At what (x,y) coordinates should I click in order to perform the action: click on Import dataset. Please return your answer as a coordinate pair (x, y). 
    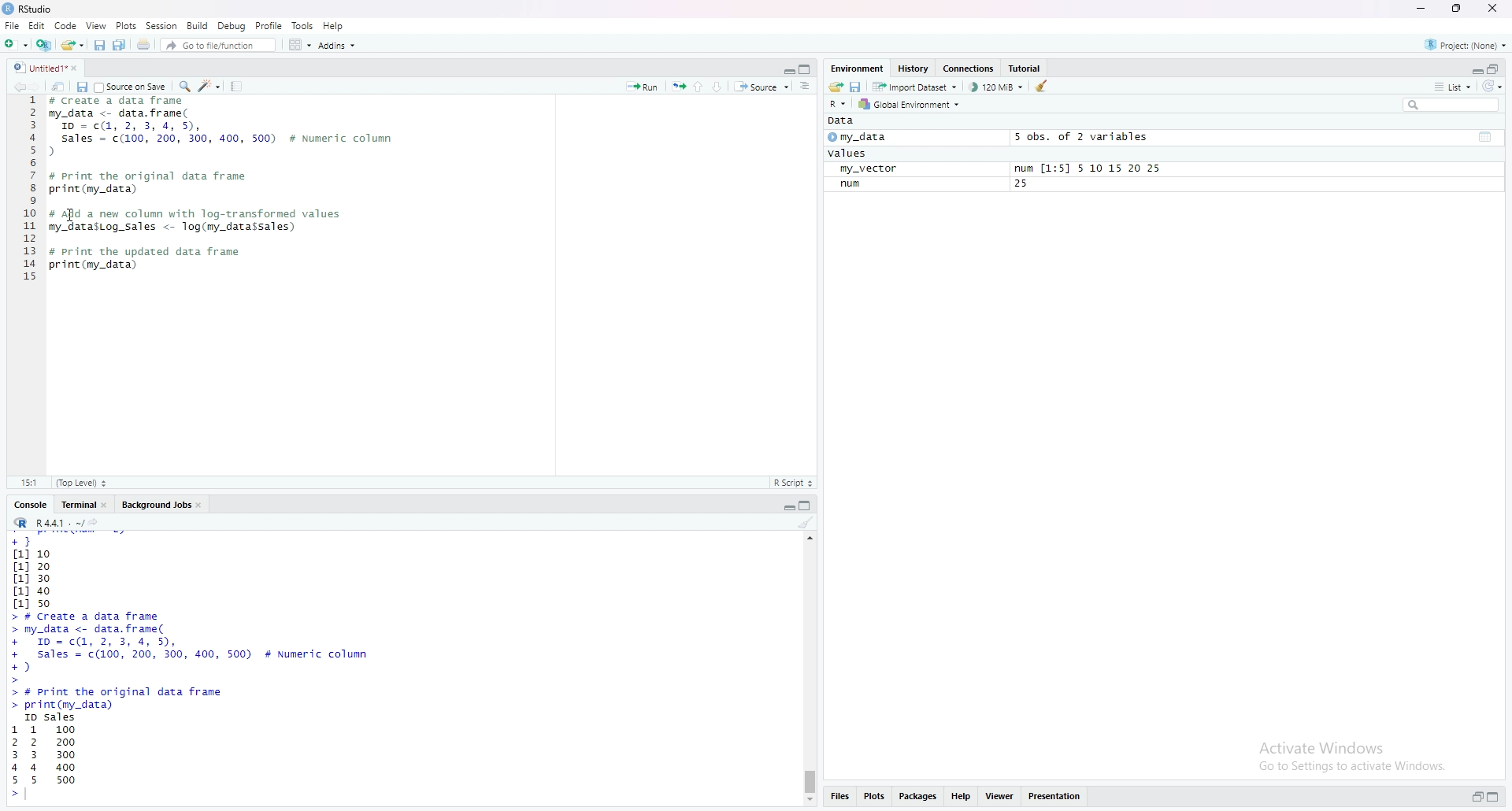
    Looking at the image, I should click on (918, 87).